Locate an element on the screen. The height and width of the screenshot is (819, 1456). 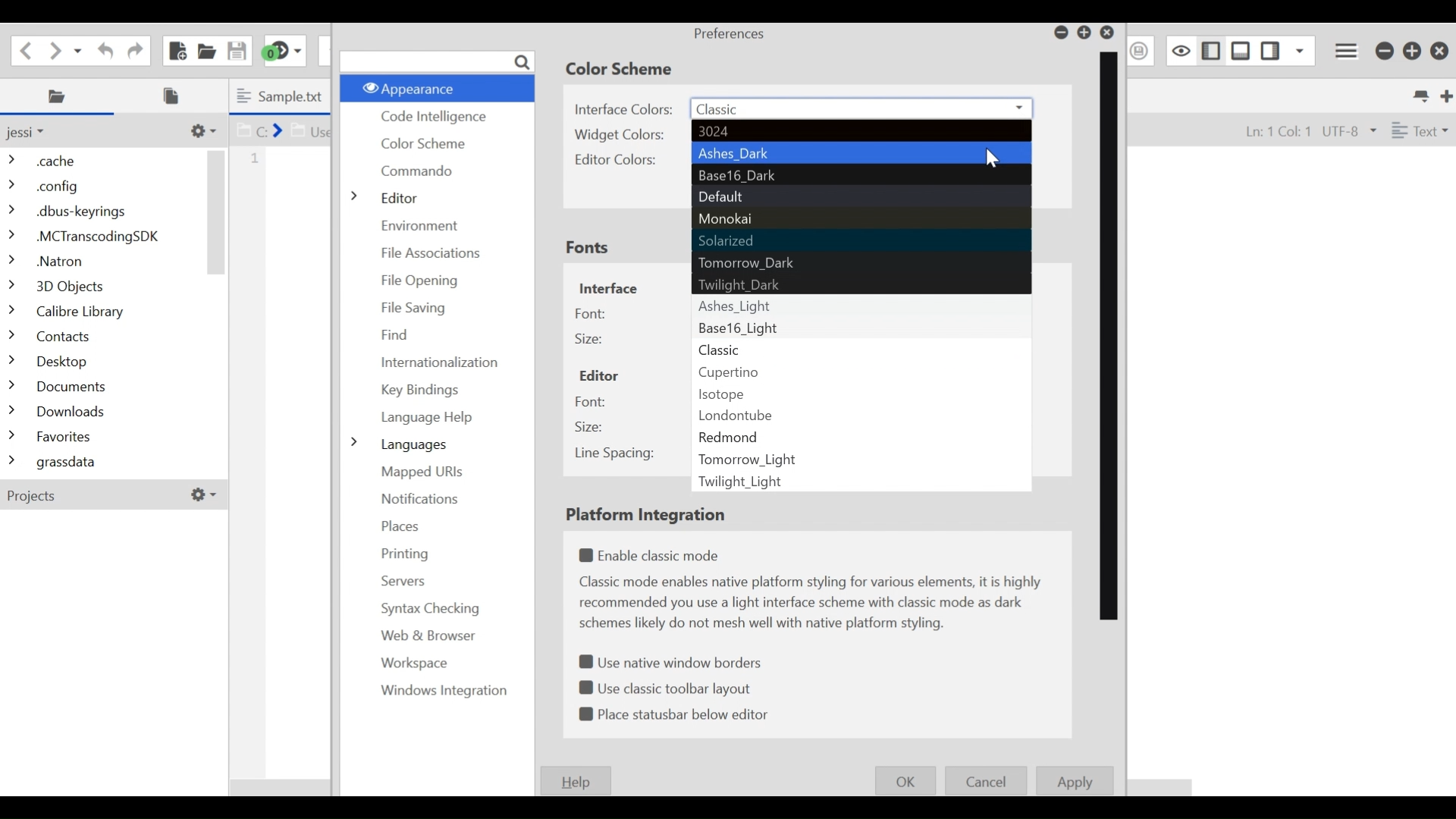
Key Finding is located at coordinates (422, 391).